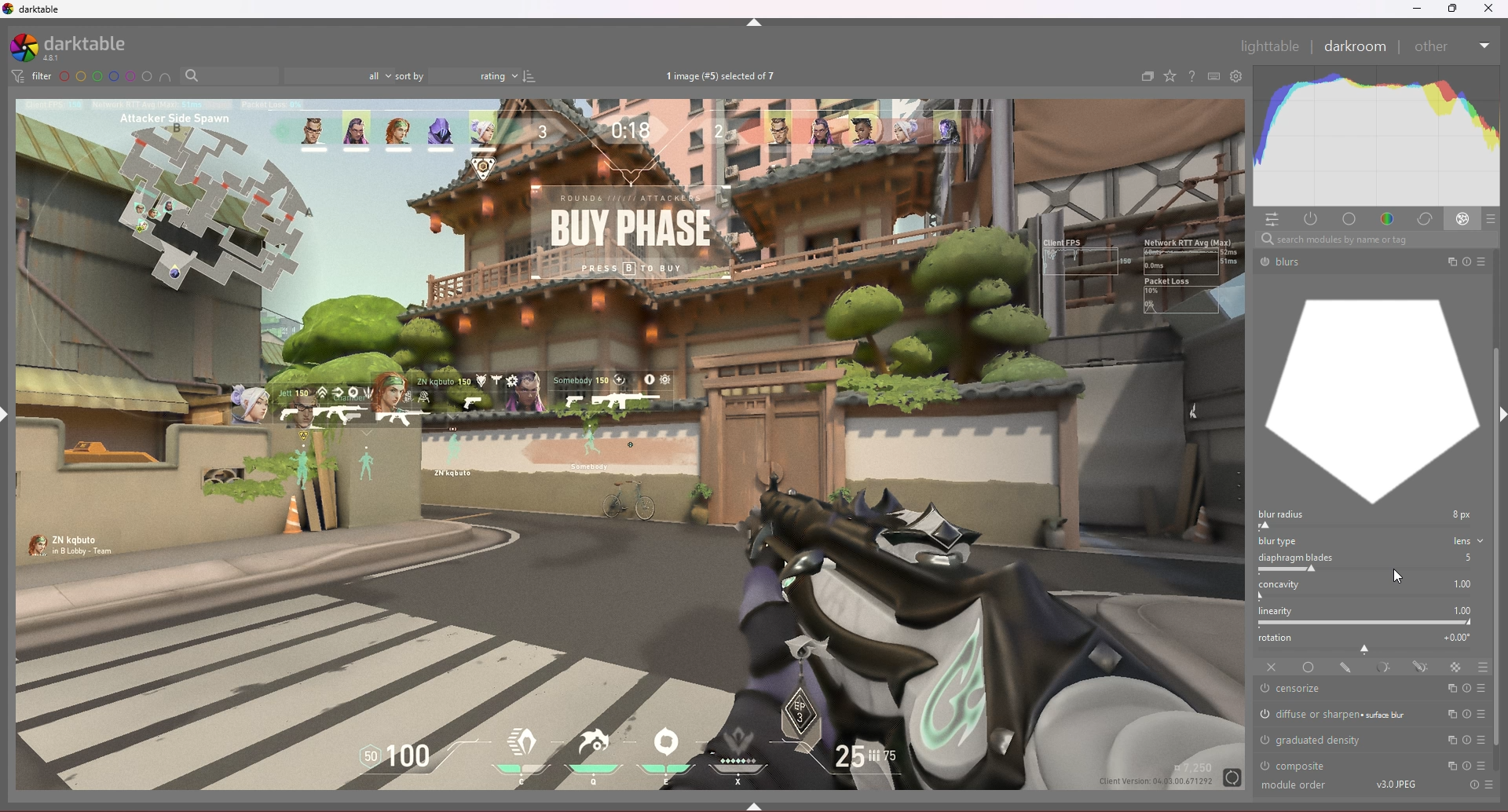  I want to click on graduated density, so click(1314, 739).